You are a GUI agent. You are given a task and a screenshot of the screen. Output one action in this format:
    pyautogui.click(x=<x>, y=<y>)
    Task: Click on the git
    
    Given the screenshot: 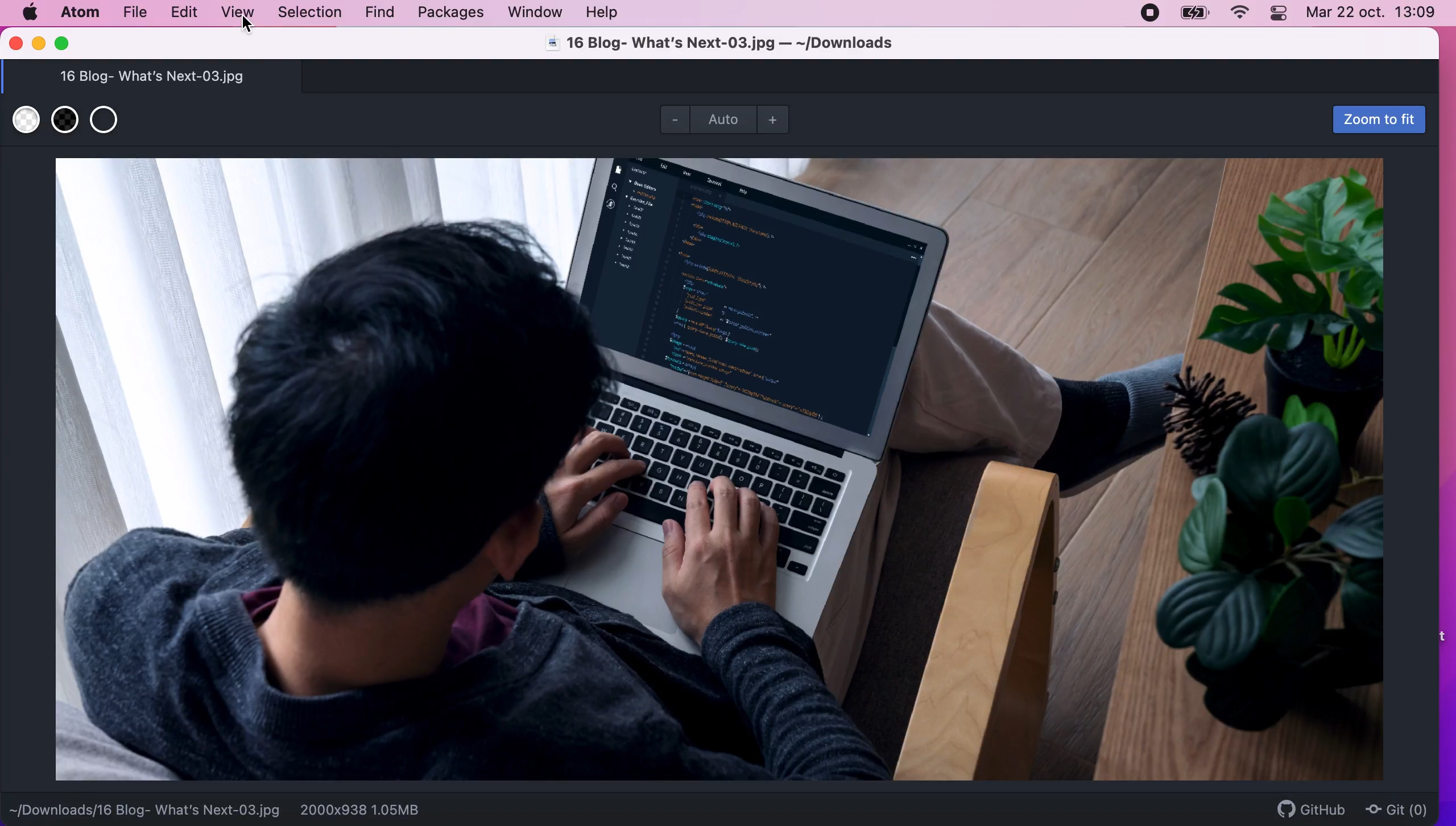 What is the action you would take?
    pyautogui.click(x=1400, y=808)
    